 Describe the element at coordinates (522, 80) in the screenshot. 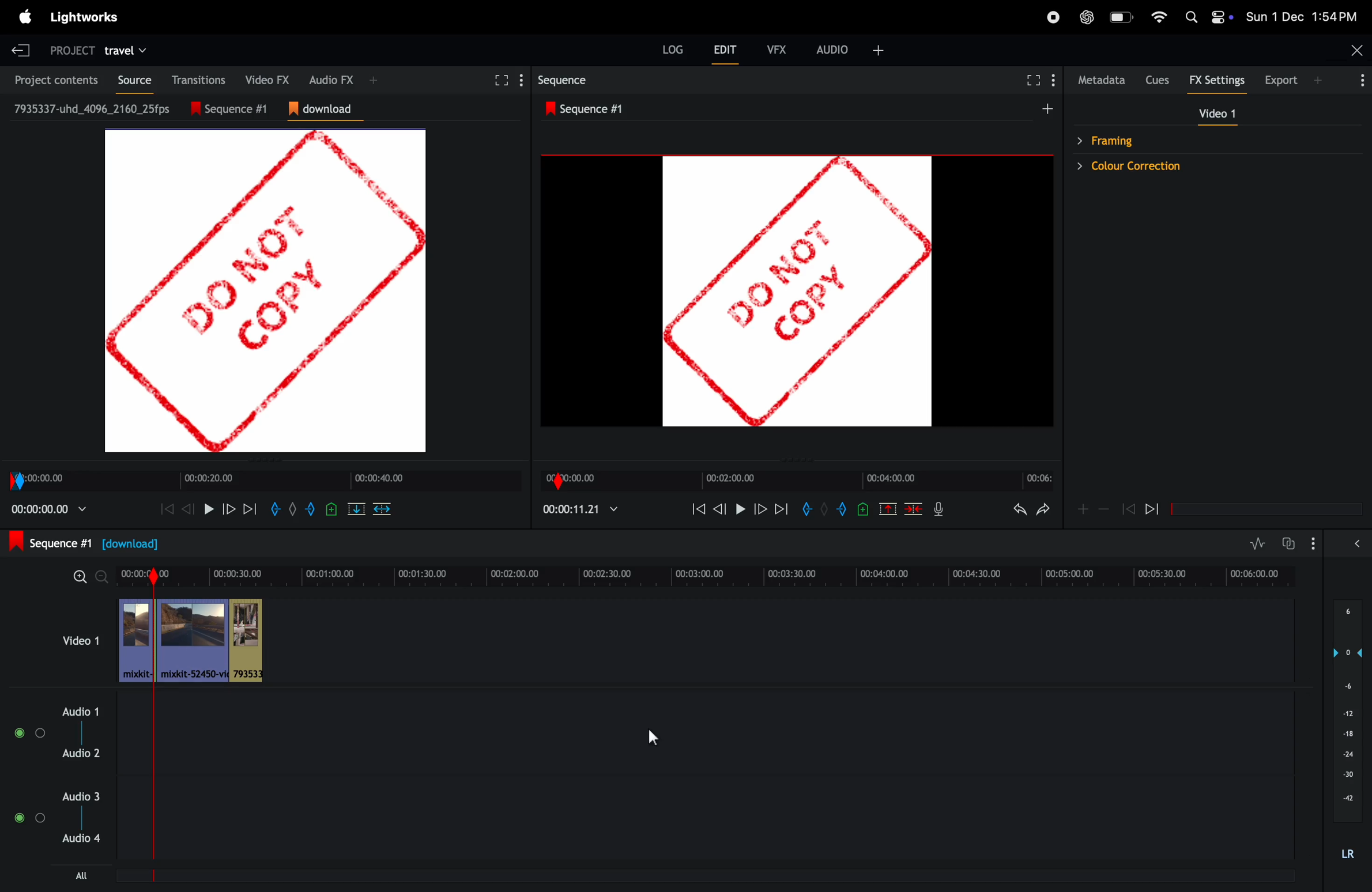

I see `Settings` at that location.